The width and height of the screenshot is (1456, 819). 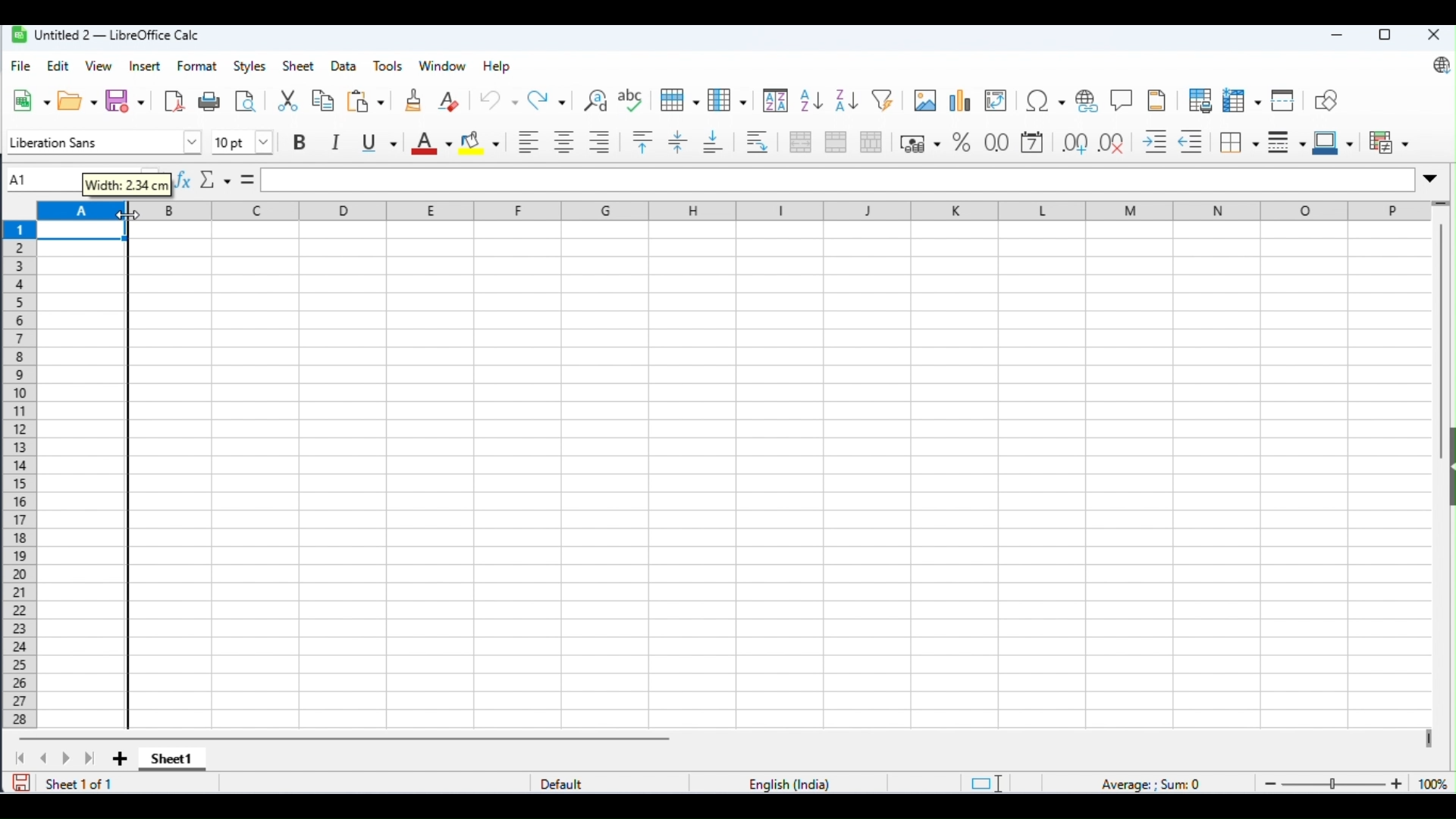 I want to click on border color, so click(x=1333, y=140).